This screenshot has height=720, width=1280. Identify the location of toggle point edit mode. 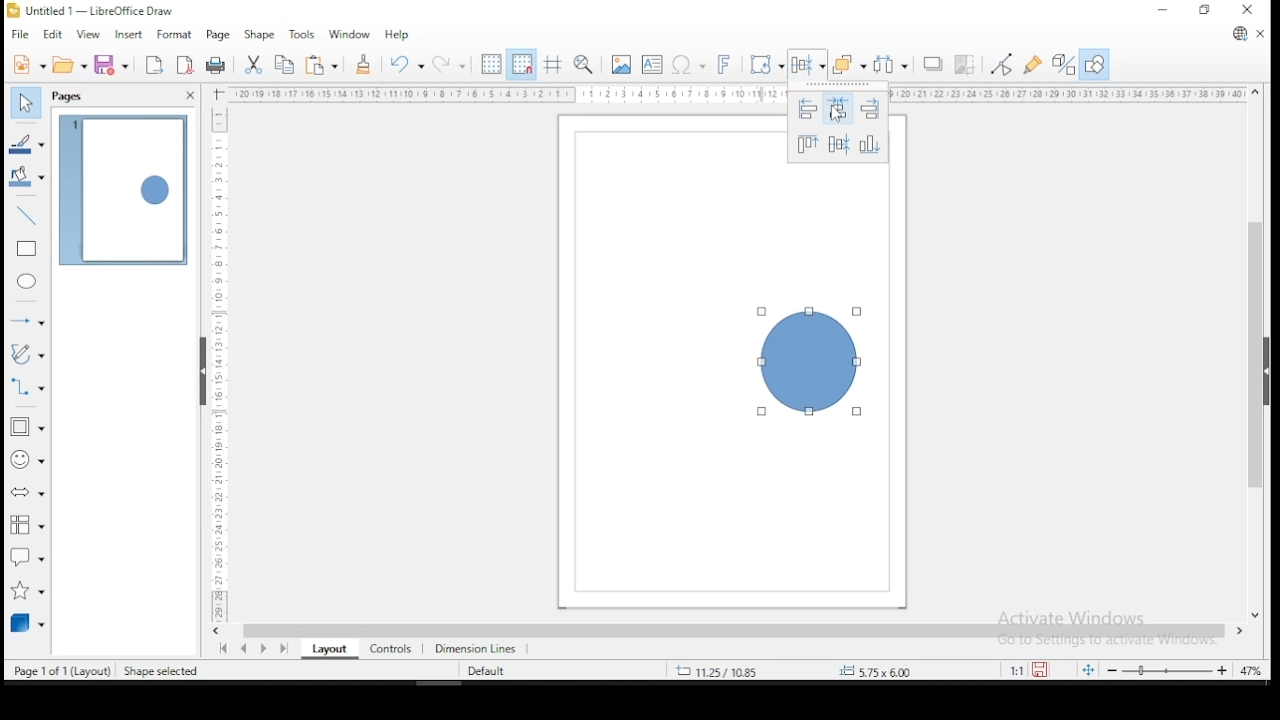
(1000, 64).